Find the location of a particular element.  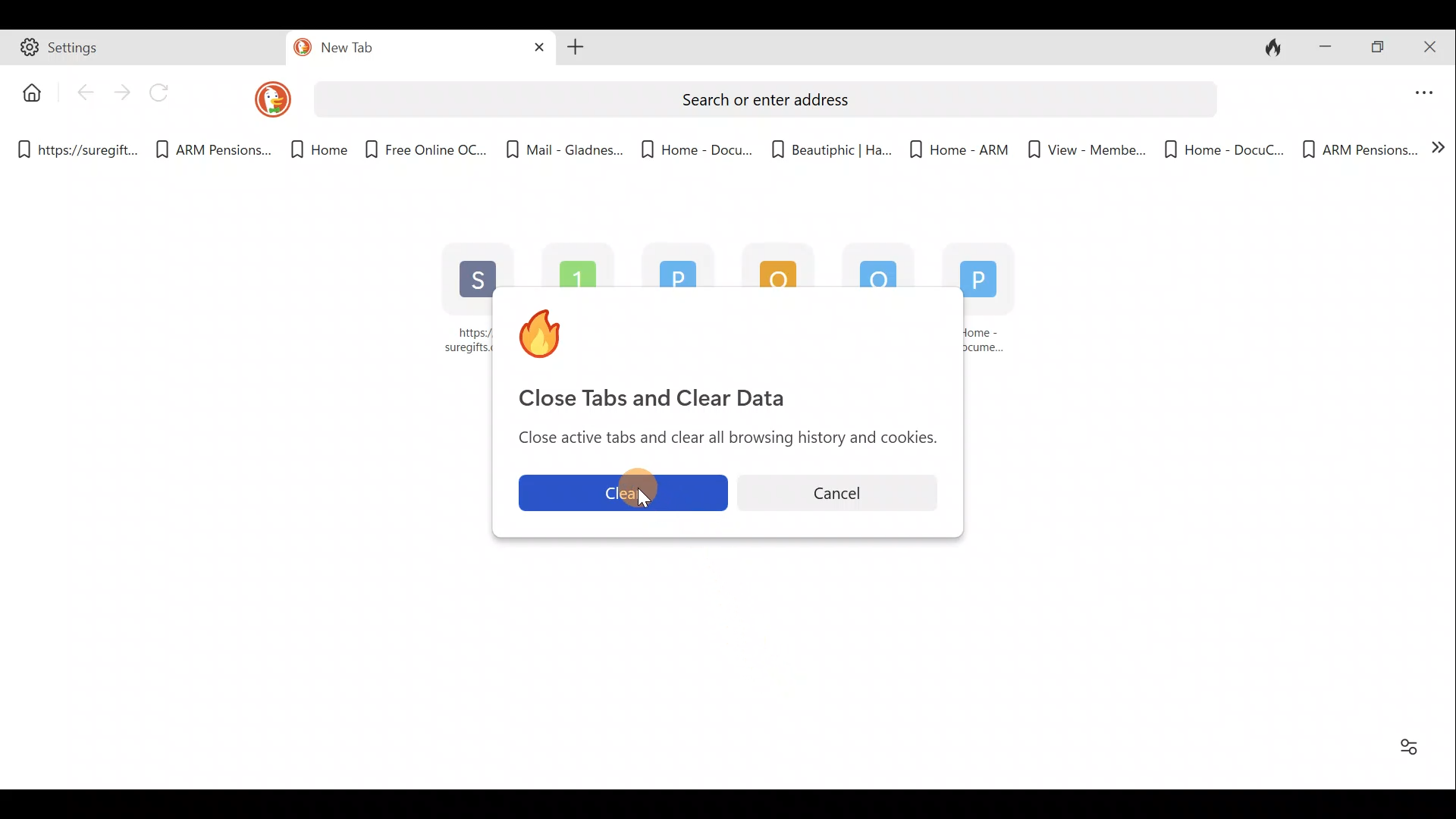

Forward is located at coordinates (122, 92).